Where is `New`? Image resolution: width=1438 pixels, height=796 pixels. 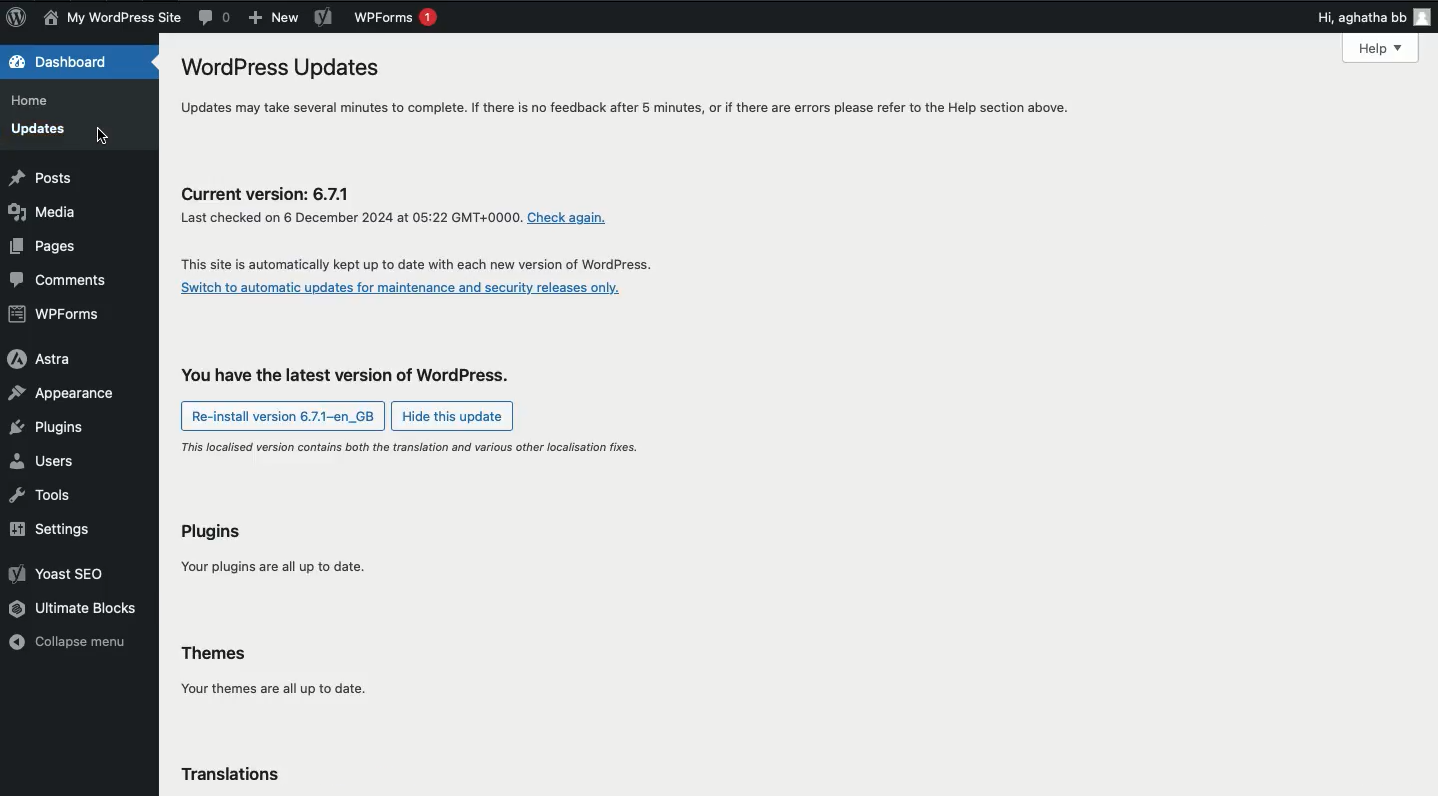
New is located at coordinates (270, 19).